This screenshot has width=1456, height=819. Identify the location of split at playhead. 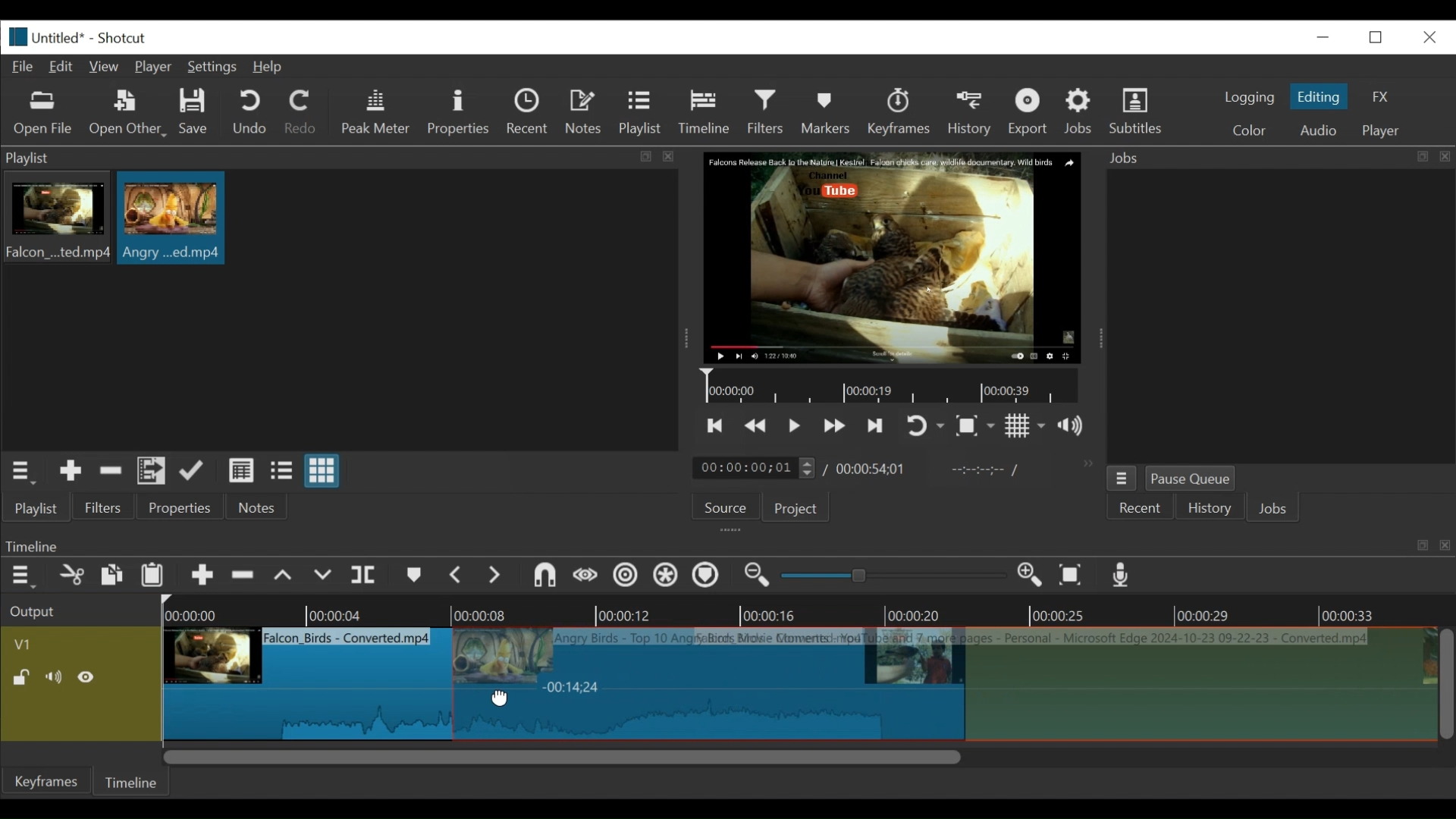
(366, 576).